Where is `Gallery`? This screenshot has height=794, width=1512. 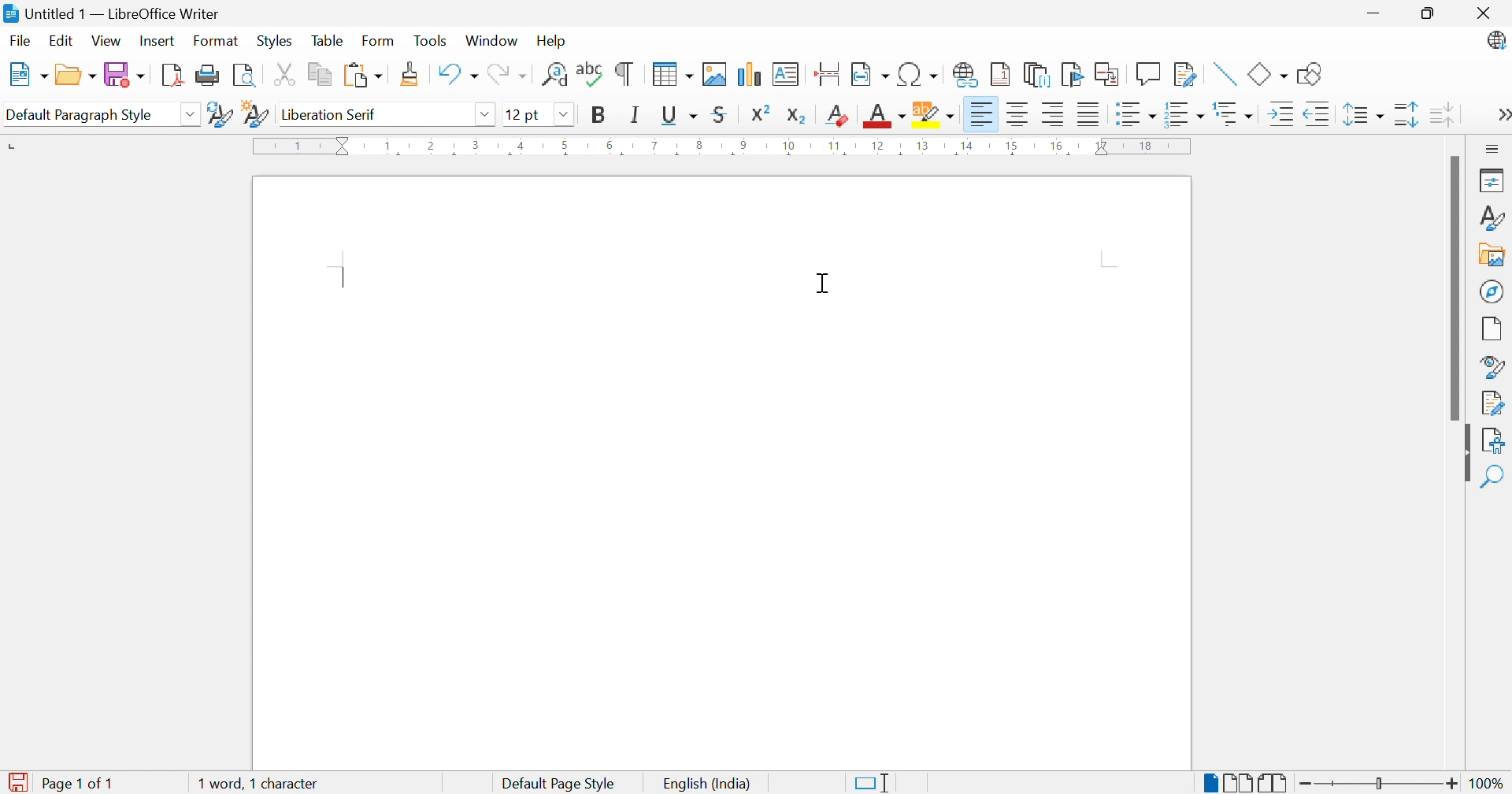
Gallery is located at coordinates (1492, 256).